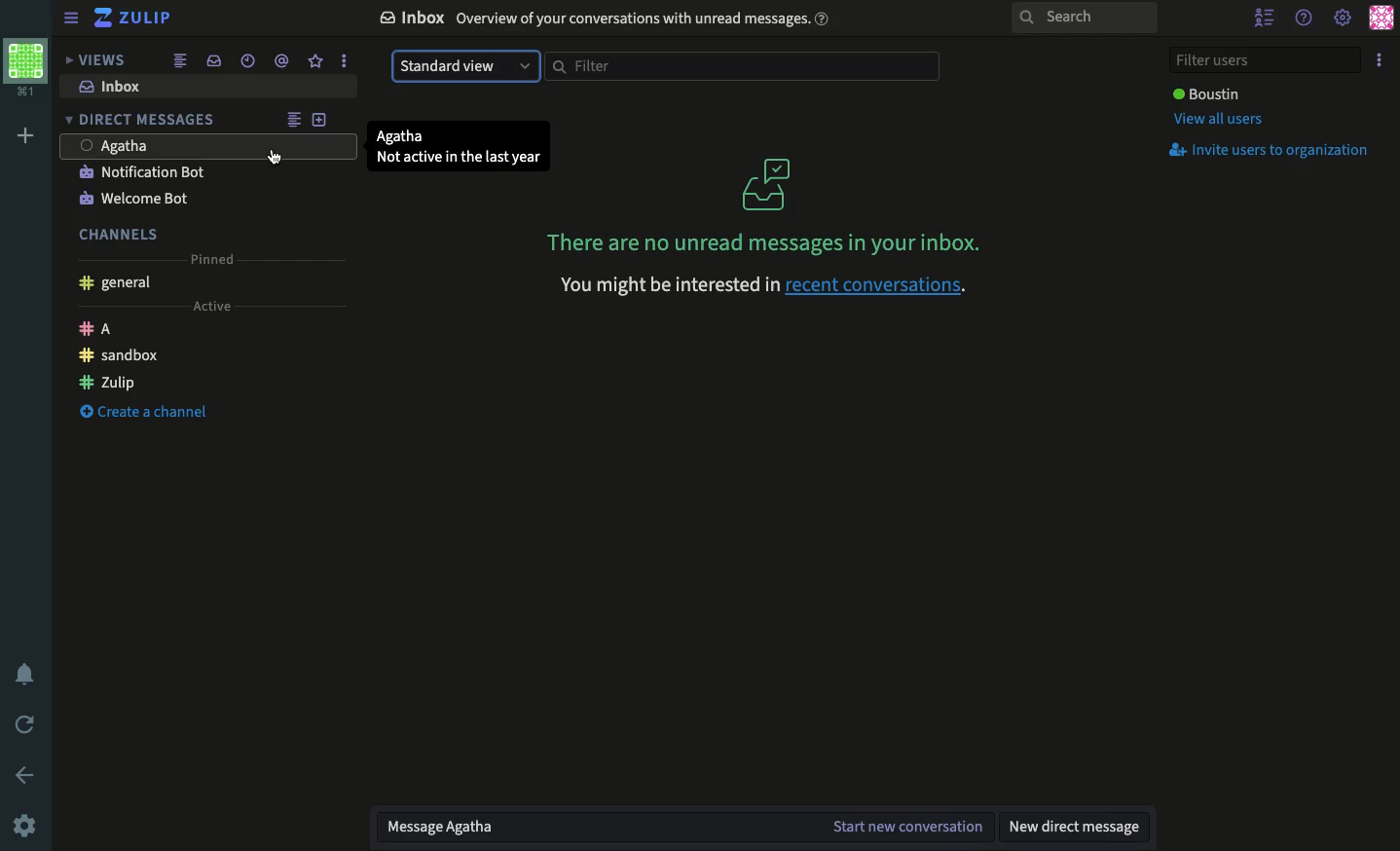  Describe the element at coordinates (1207, 93) in the screenshot. I see `User` at that location.